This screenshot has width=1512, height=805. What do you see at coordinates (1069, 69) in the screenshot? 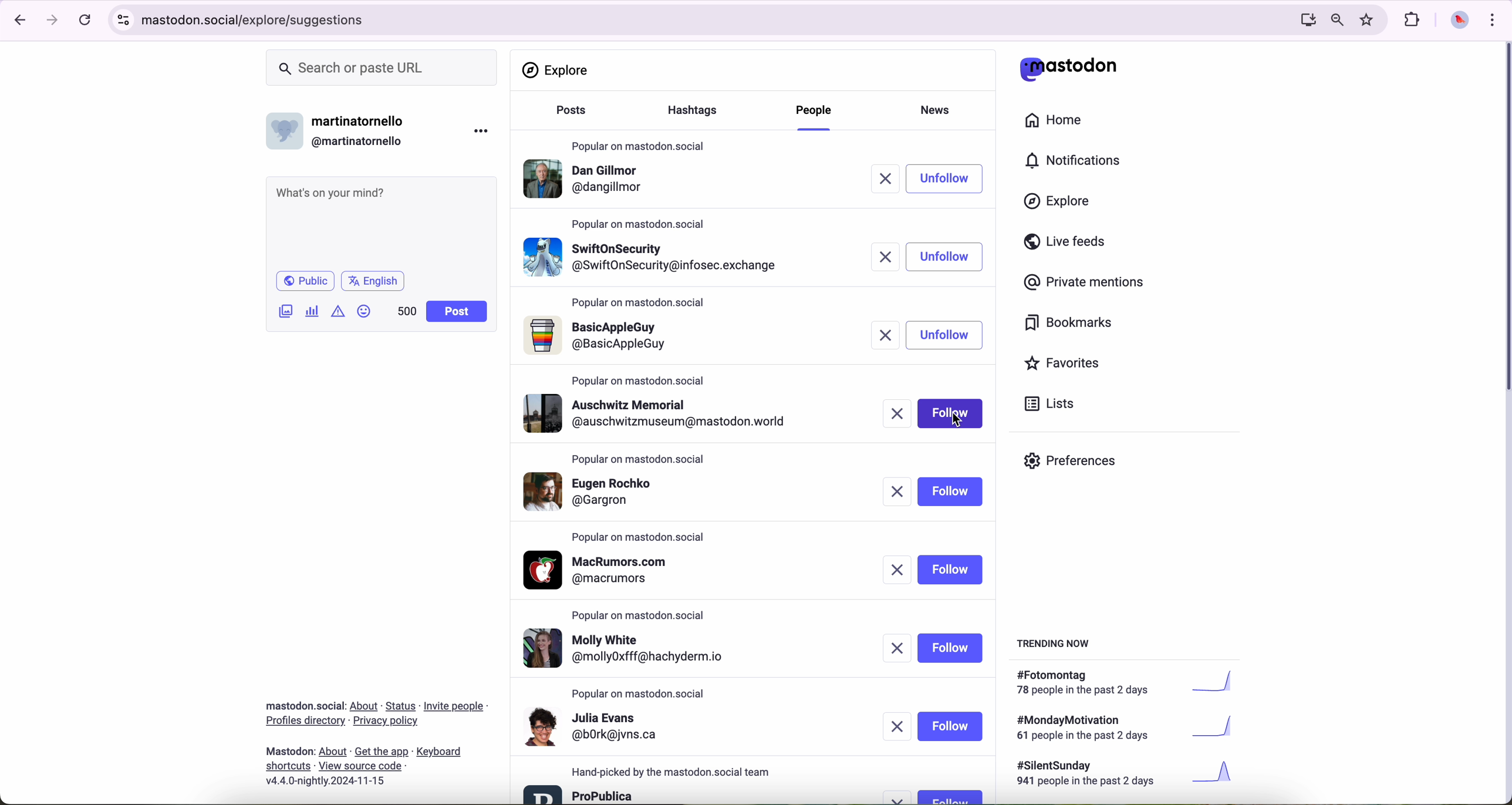
I see `matodon logo` at bounding box center [1069, 69].